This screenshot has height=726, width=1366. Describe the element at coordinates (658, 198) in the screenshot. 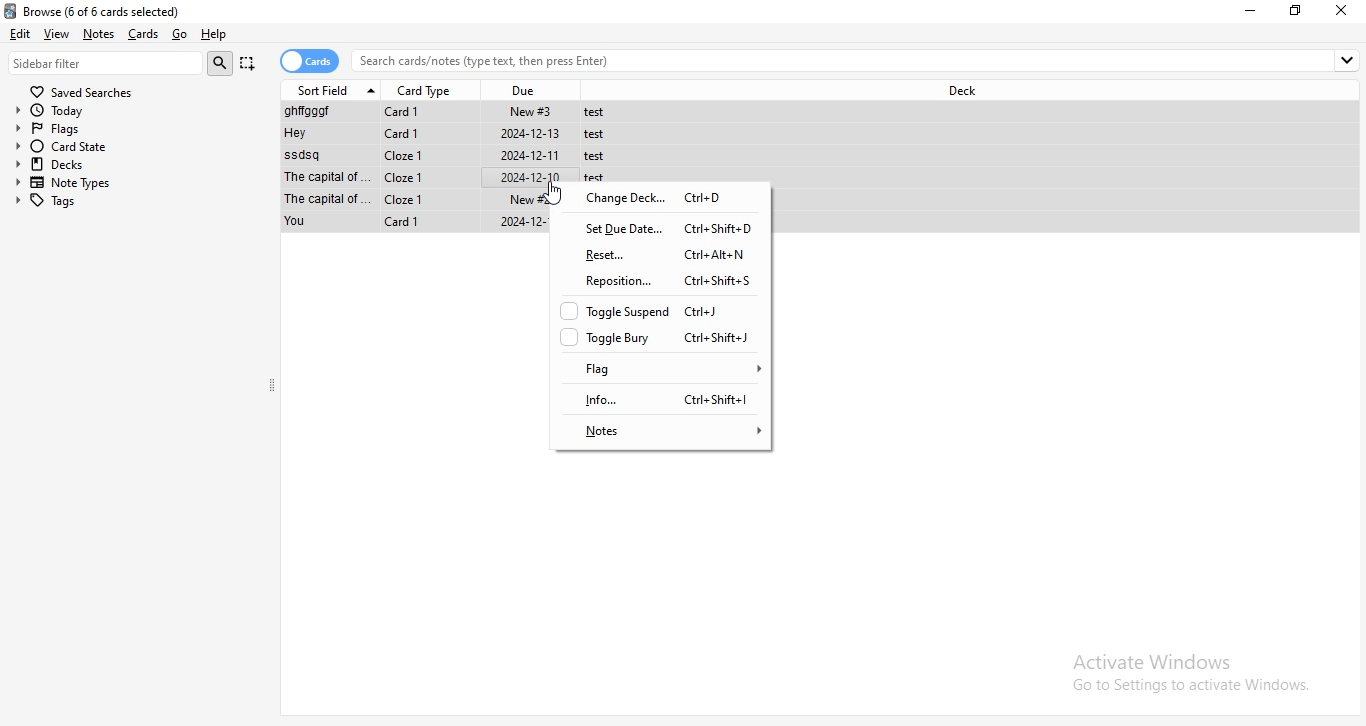

I see `change deck` at that location.